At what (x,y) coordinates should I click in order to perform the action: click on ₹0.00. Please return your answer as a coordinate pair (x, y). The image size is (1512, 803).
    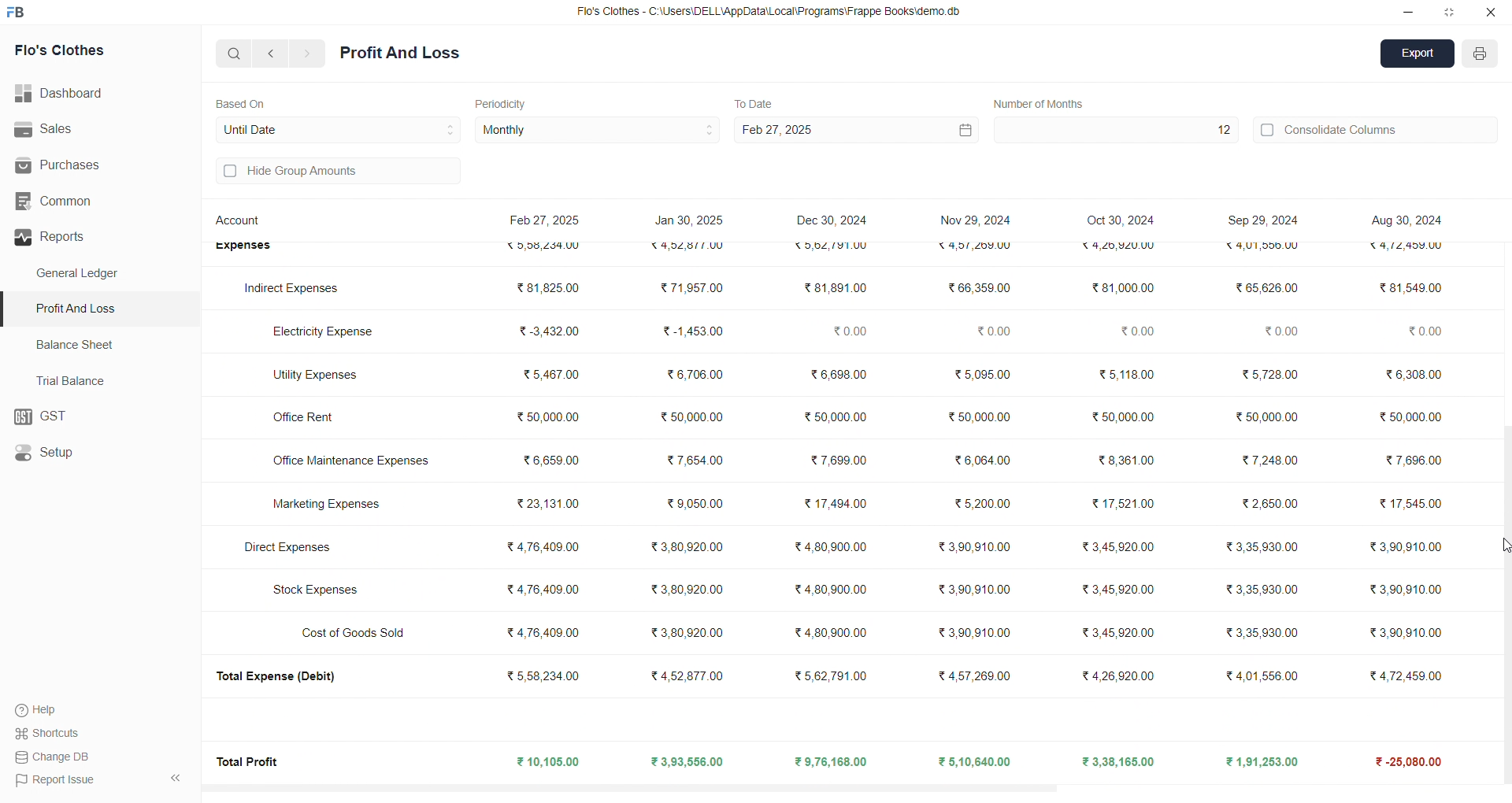
    Looking at the image, I should click on (846, 329).